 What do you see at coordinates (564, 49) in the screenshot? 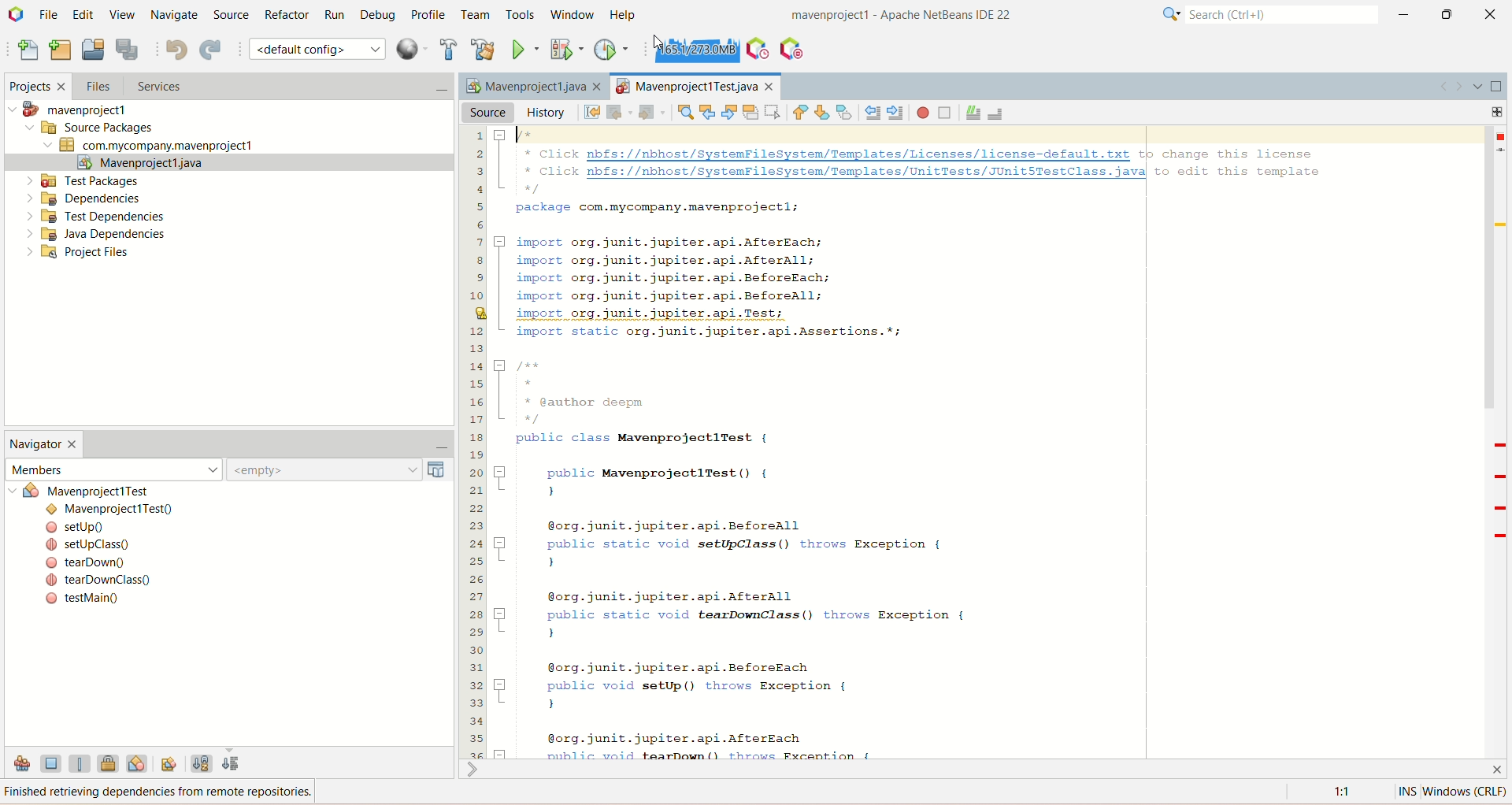
I see `debug project` at bounding box center [564, 49].